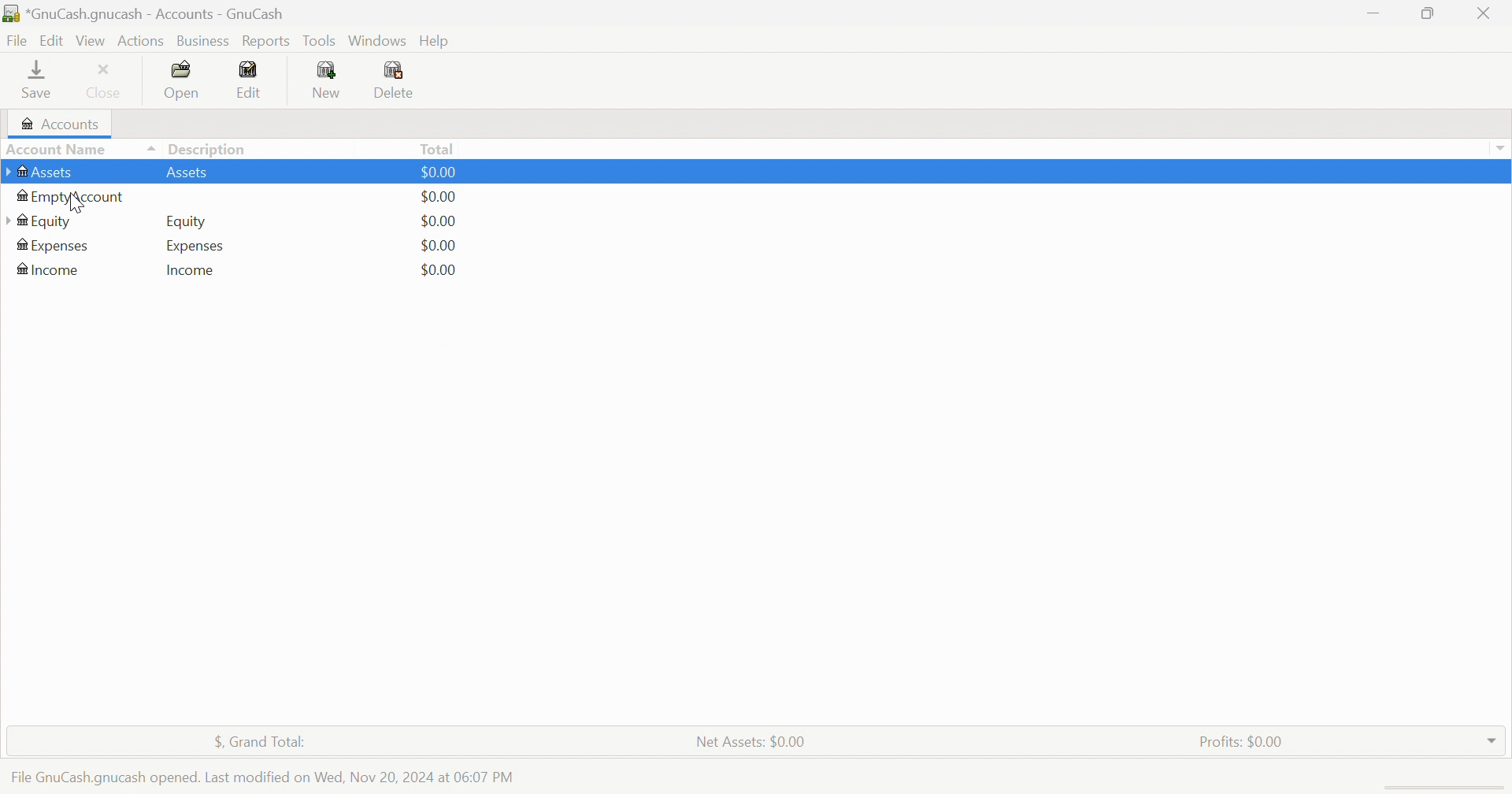 Image resolution: width=1512 pixels, height=794 pixels. I want to click on $, Grand Total:, so click(258, 741).